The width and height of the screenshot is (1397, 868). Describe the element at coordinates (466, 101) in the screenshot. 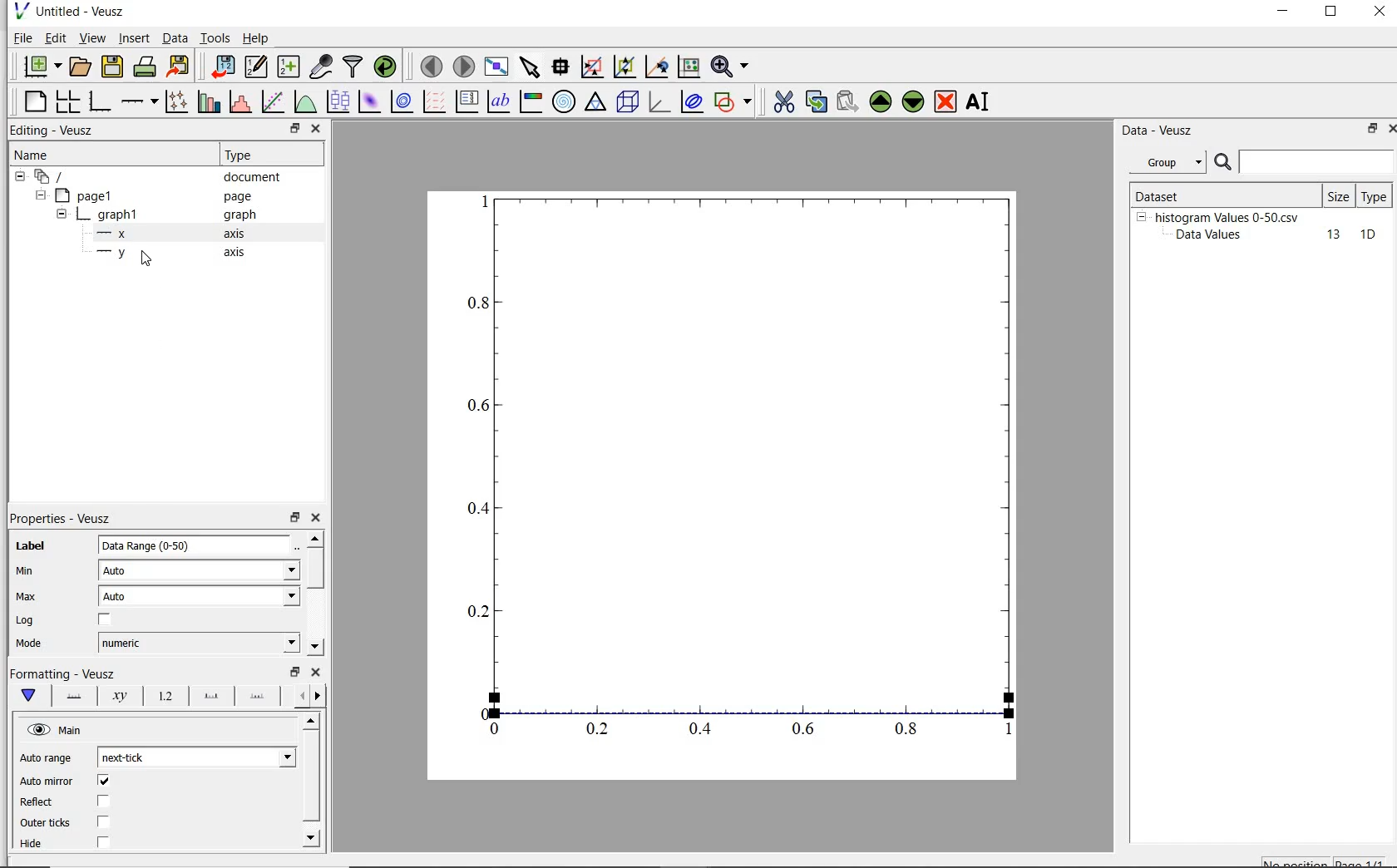

I see `plot key` at that location.